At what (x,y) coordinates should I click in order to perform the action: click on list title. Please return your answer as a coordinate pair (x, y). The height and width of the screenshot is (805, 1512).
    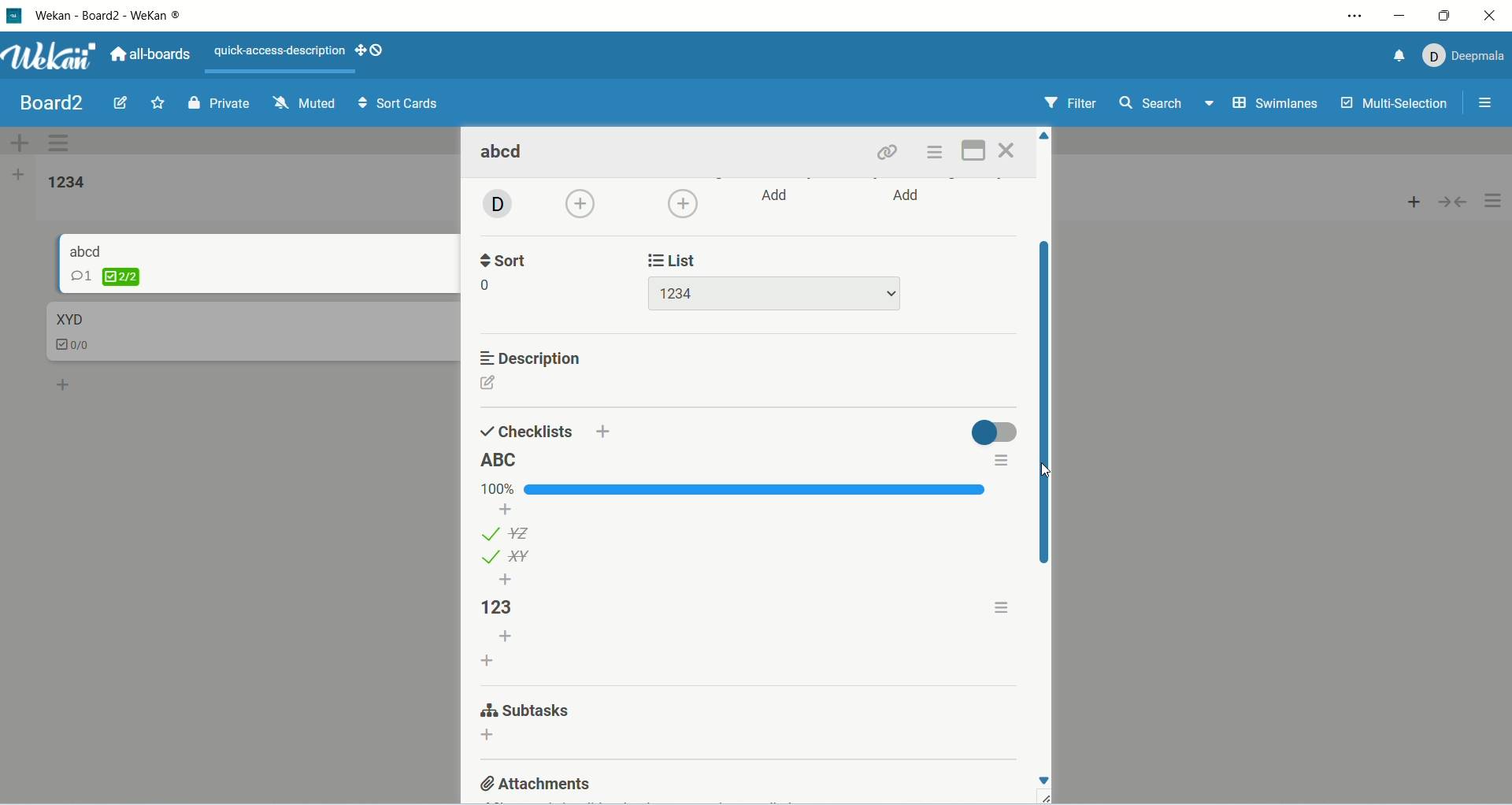
    Looking at the image, I should click on (69, 183).